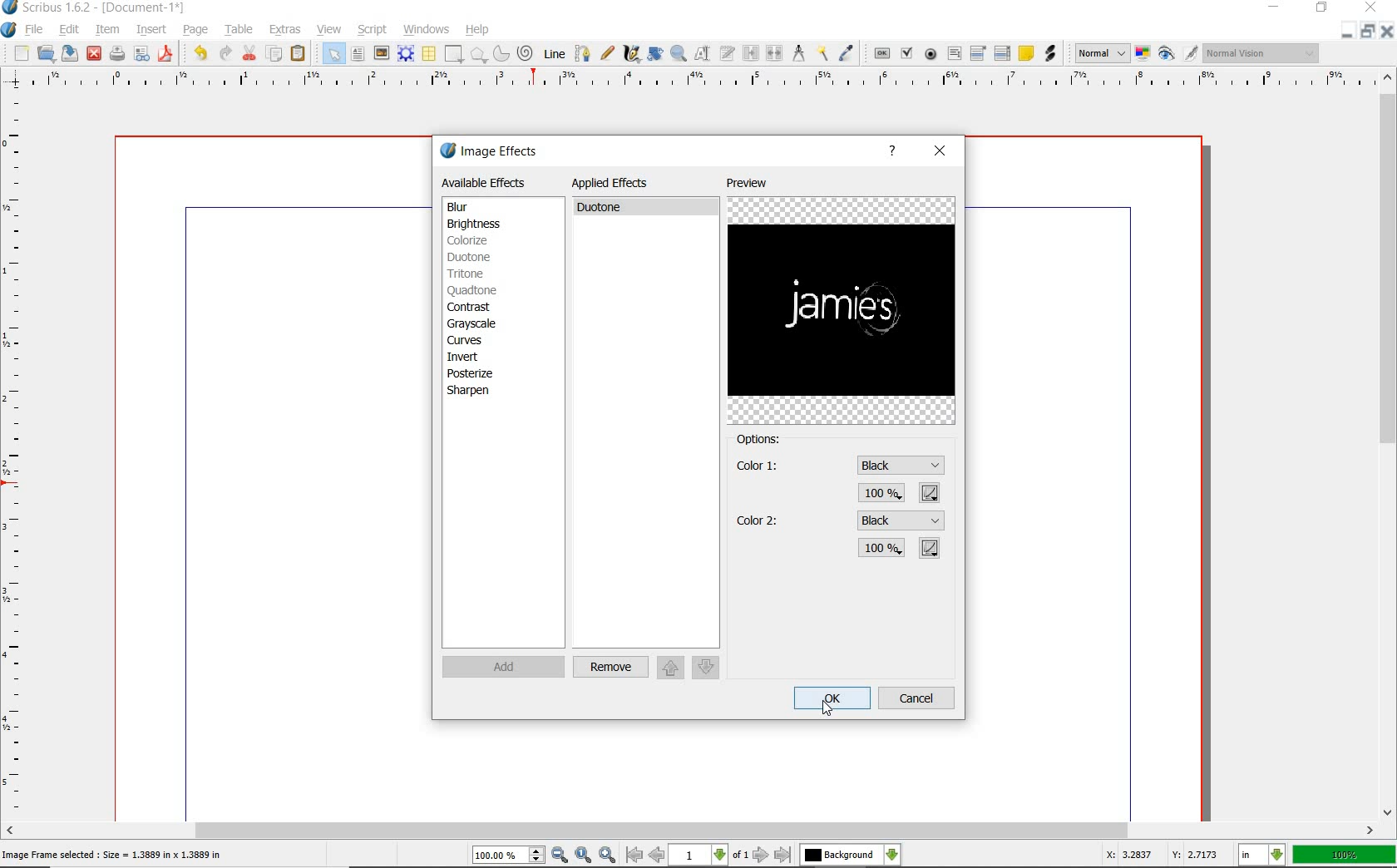 The image size is (1397, 868). I want to click on copy item properties, so click(822, 53).